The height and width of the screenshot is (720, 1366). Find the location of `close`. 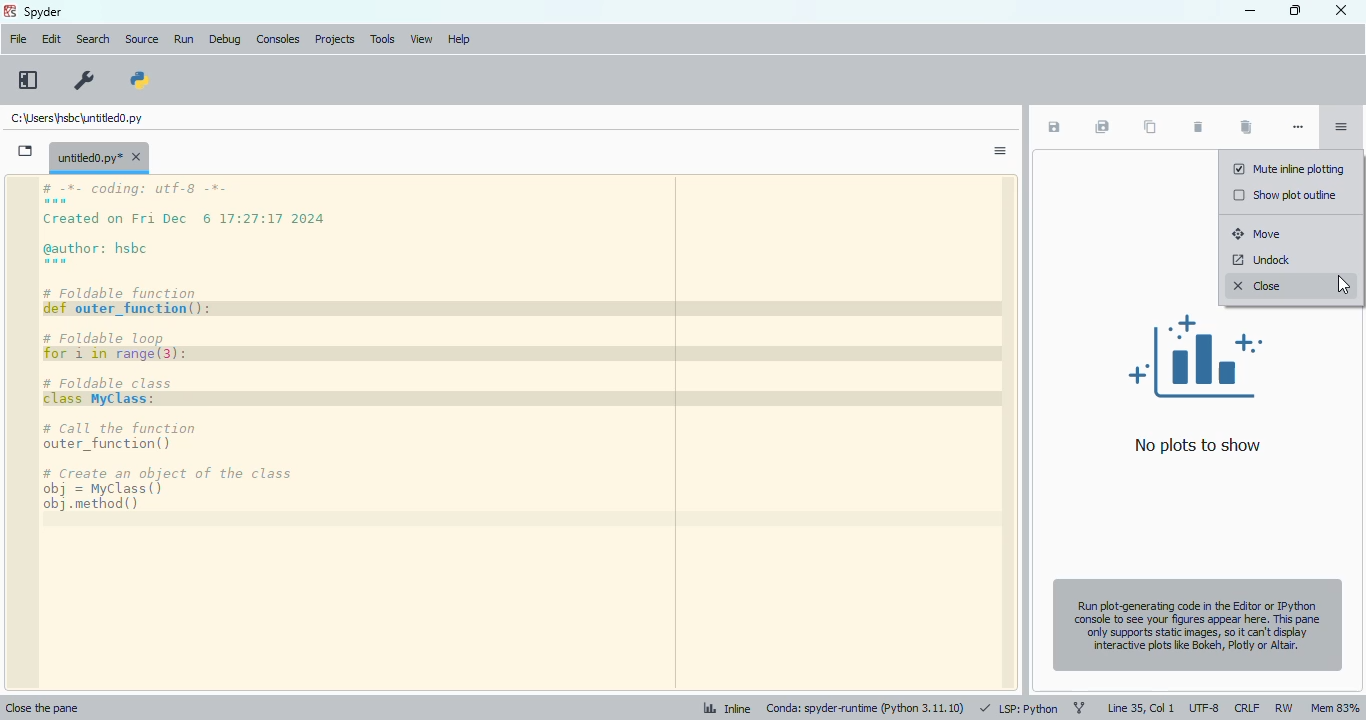

close is located at coordinates (1342, 14).